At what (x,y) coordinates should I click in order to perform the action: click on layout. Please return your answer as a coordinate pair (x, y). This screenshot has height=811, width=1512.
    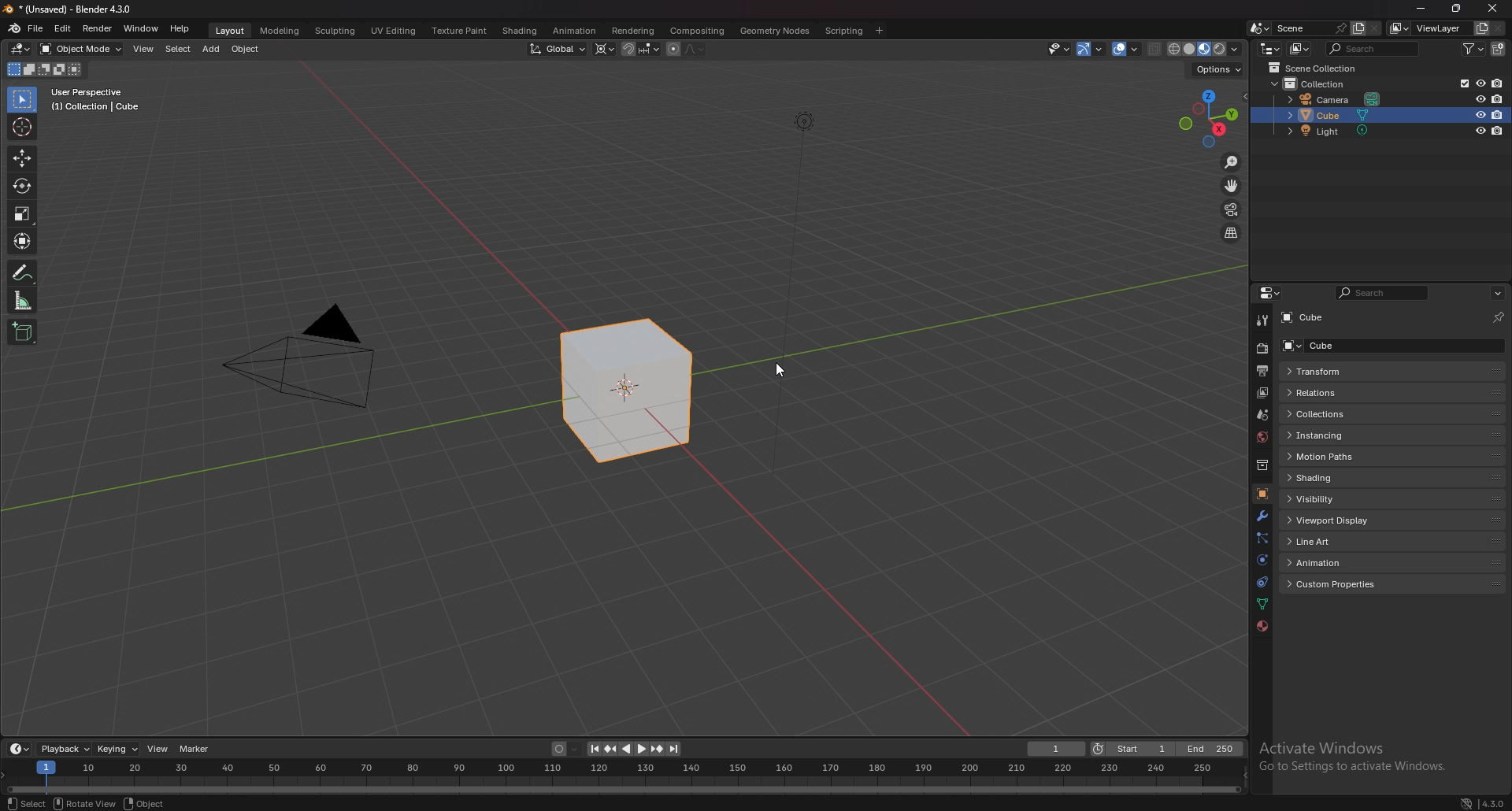
    Looking at the image, I should click on (229, 31).